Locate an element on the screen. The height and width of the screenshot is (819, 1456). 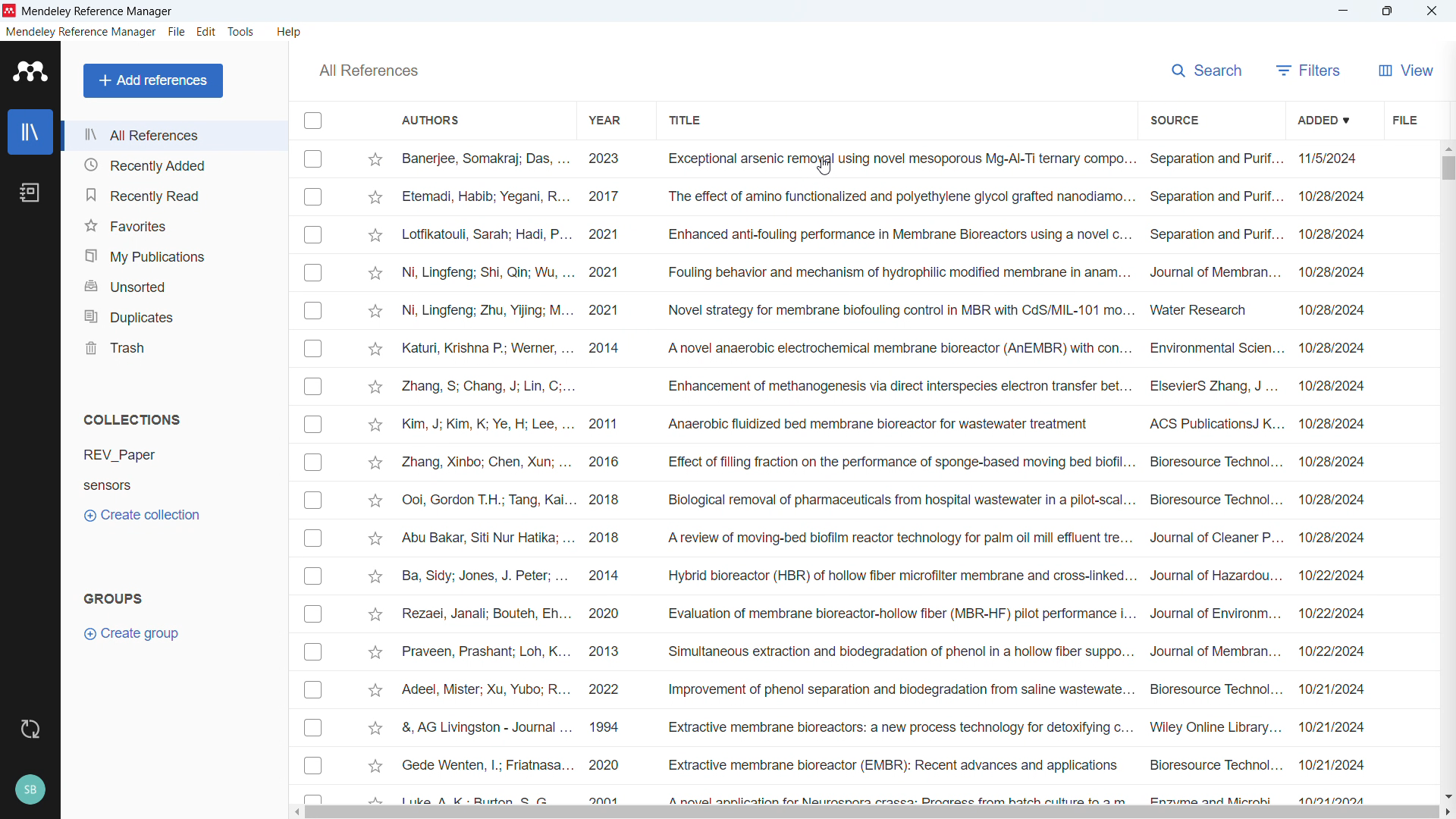
banerjee somakraj,das is located at coordinates (485, 158).